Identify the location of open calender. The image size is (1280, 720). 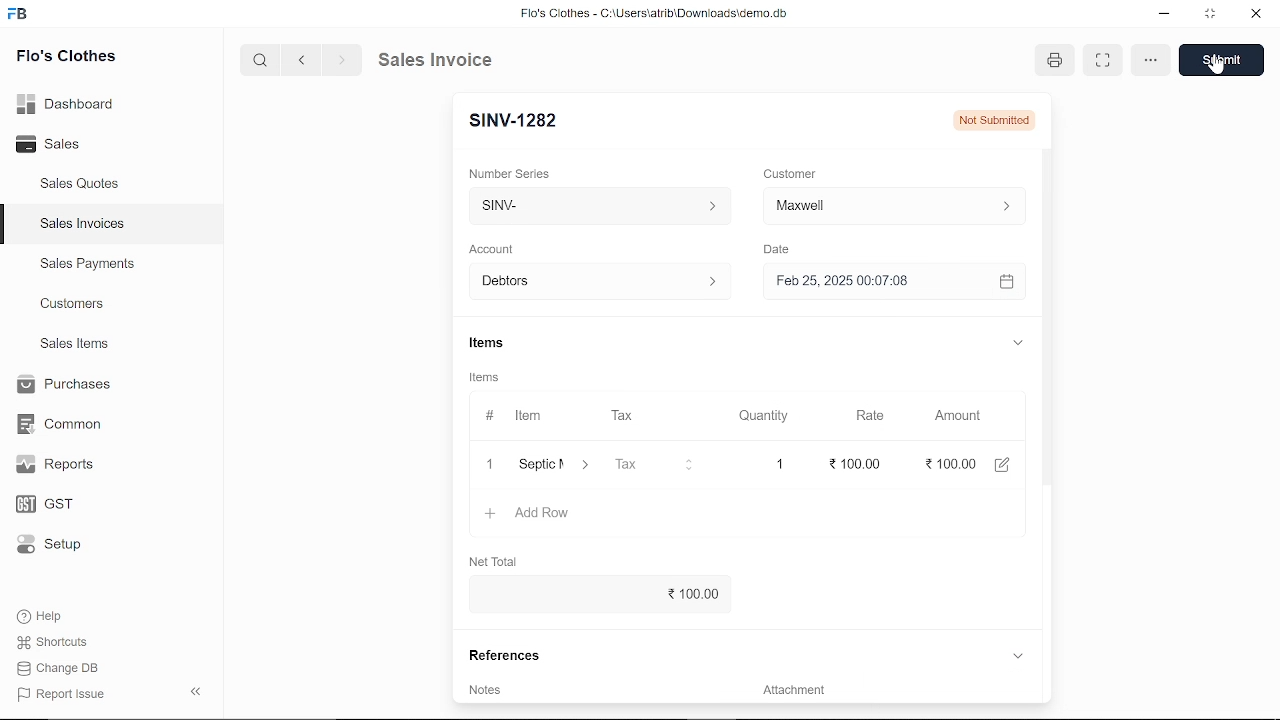
(1006, 282).